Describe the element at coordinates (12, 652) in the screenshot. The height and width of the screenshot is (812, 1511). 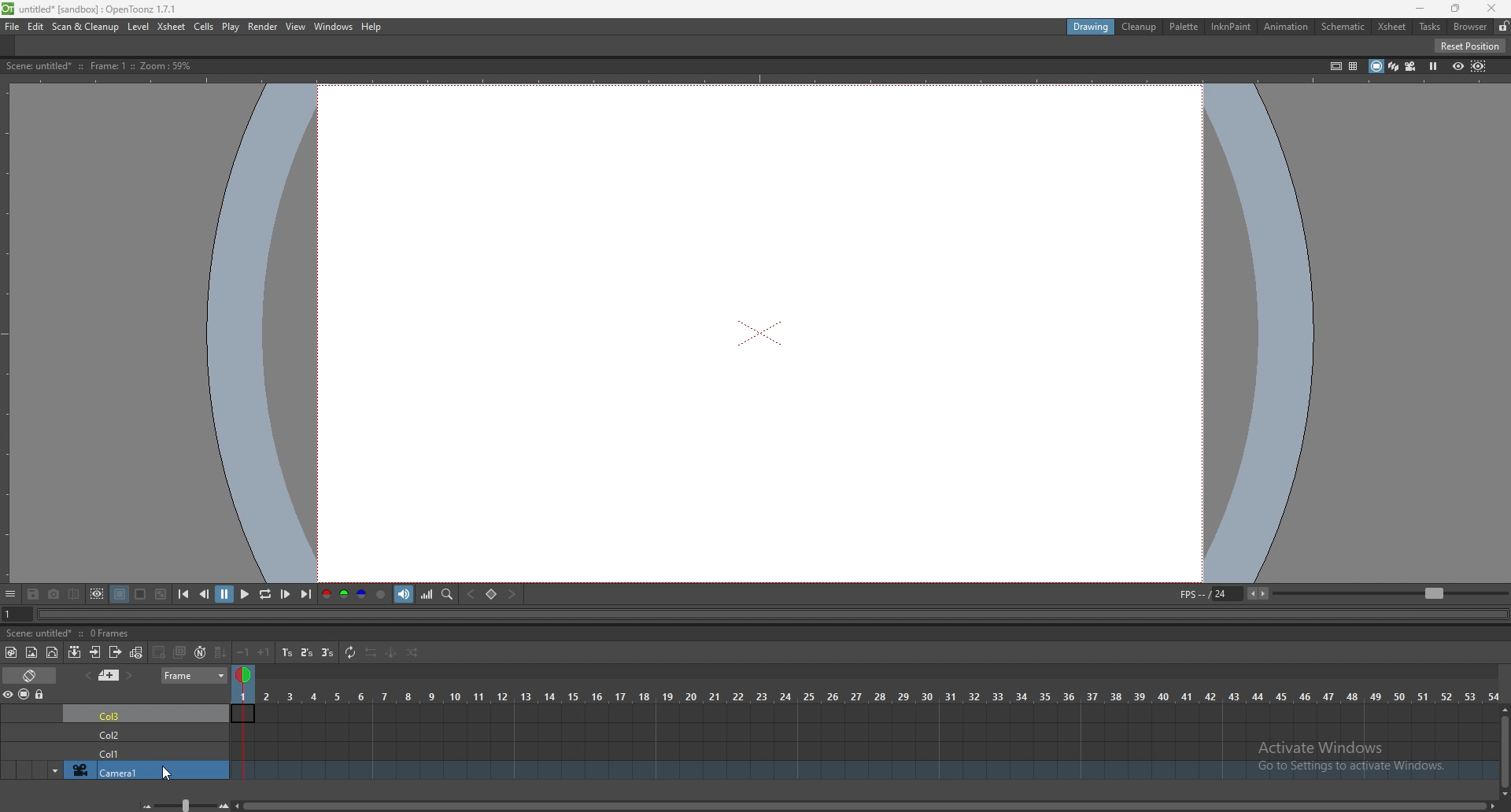
I see `new toon raster level` at that location.